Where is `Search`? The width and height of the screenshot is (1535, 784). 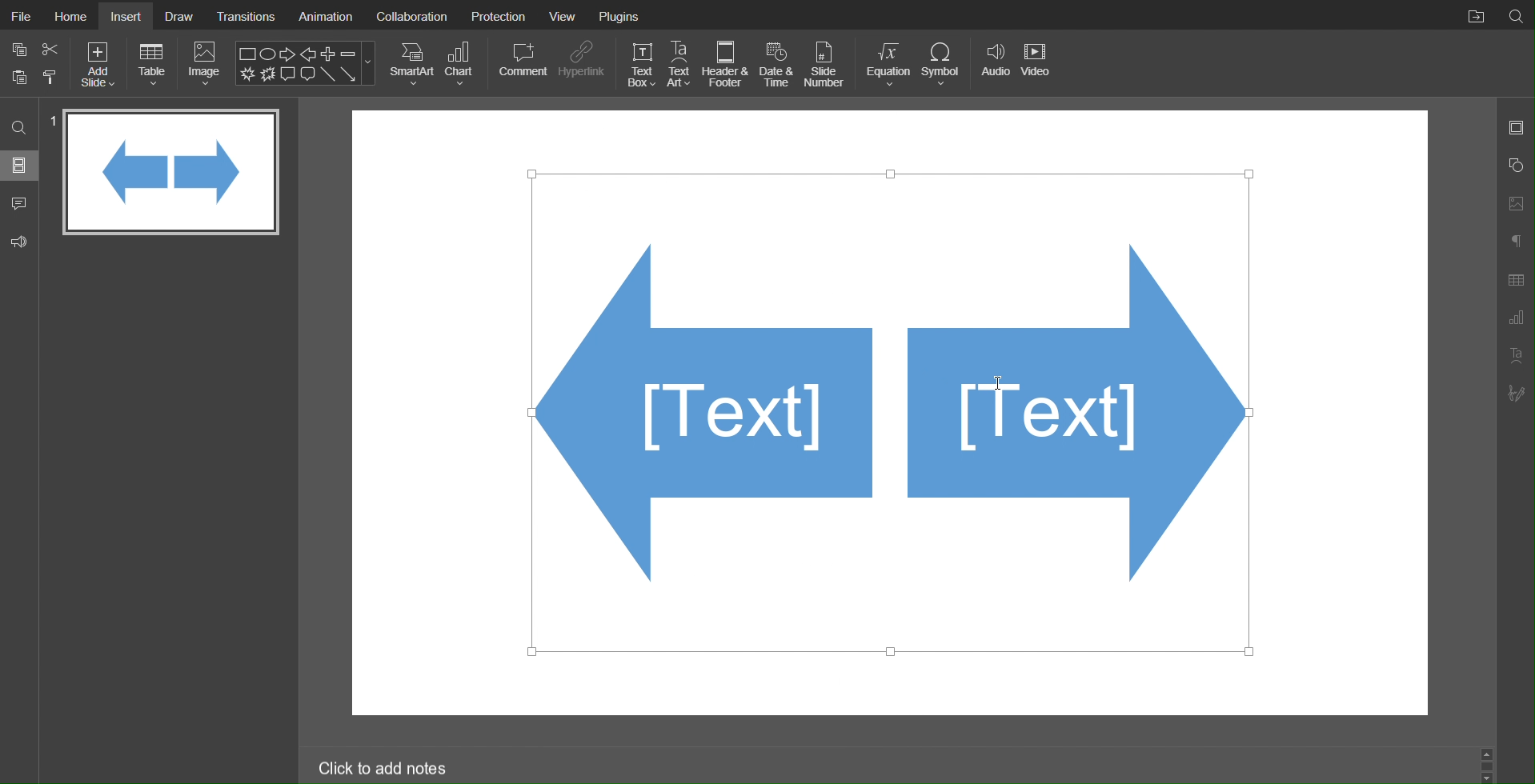 Search is located at coordinates (1516, 15).